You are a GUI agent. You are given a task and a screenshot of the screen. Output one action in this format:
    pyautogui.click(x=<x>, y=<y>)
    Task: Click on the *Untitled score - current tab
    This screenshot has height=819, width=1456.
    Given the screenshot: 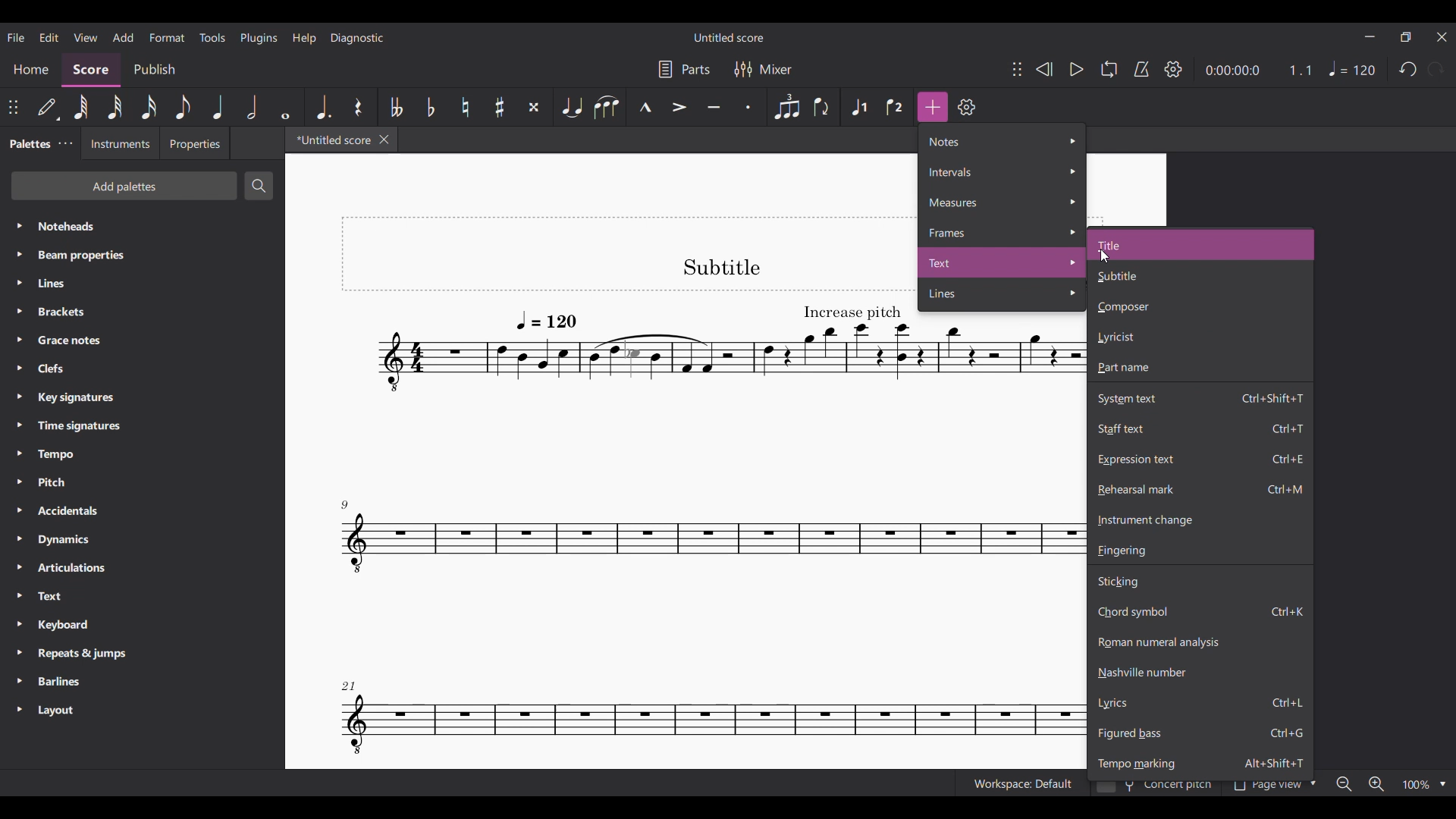 What is the action you would take?
    pyautogui.click(x=330, y=140)
    